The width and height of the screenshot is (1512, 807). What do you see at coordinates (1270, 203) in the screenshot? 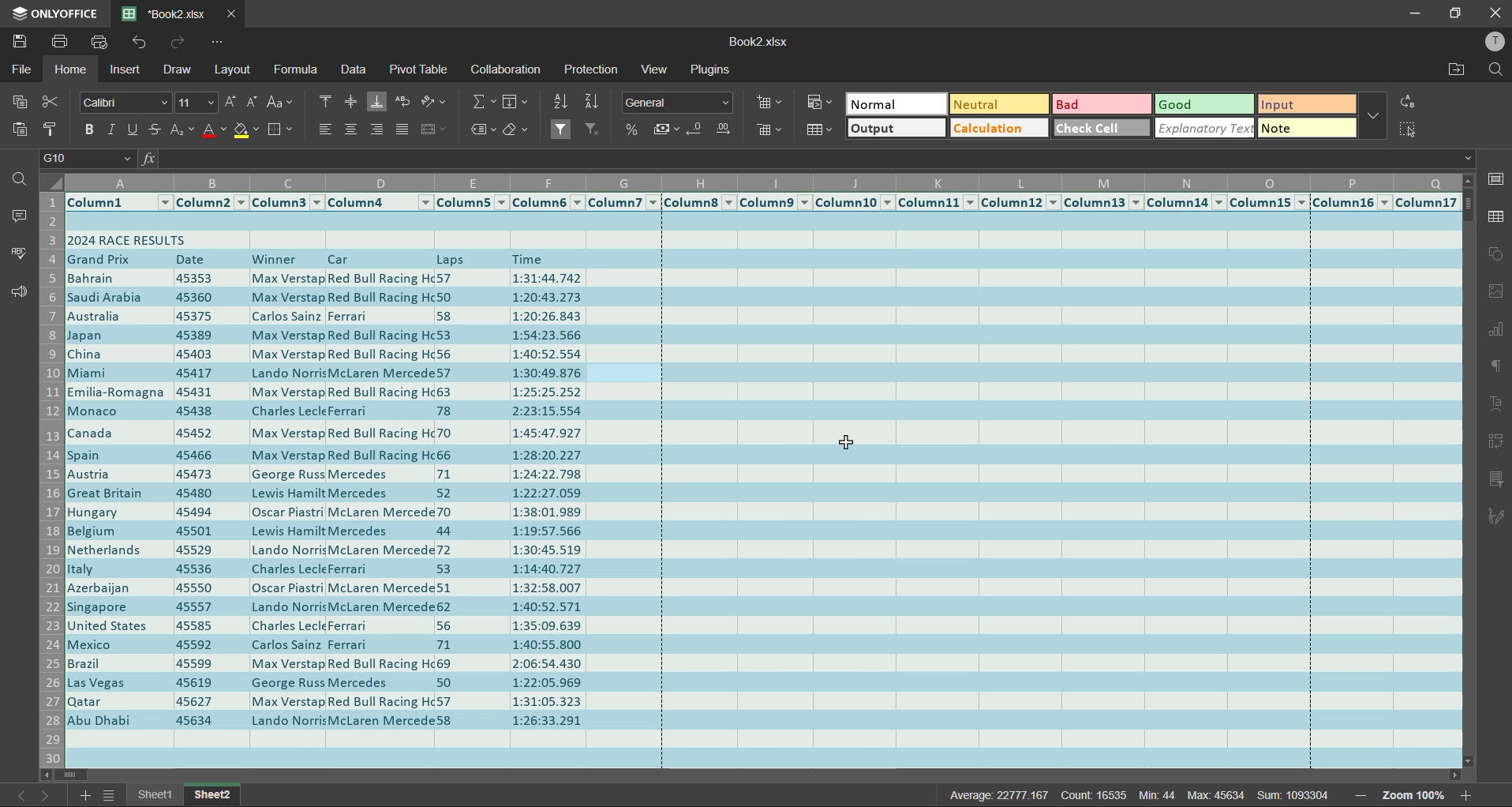
I see `Column ` at bounding box center [1270, 203].